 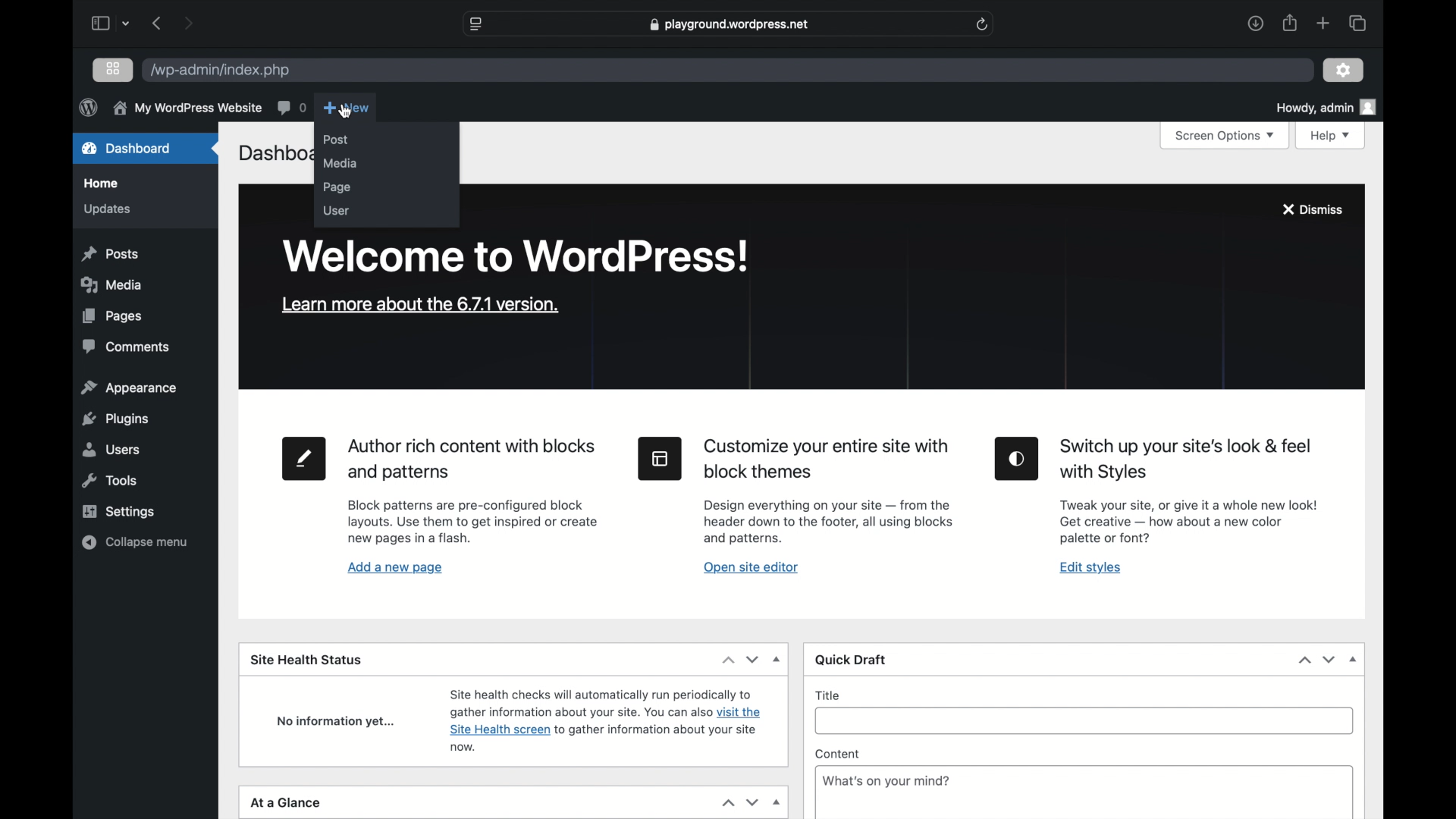 I want to click on title, so click(x=829, y=695).